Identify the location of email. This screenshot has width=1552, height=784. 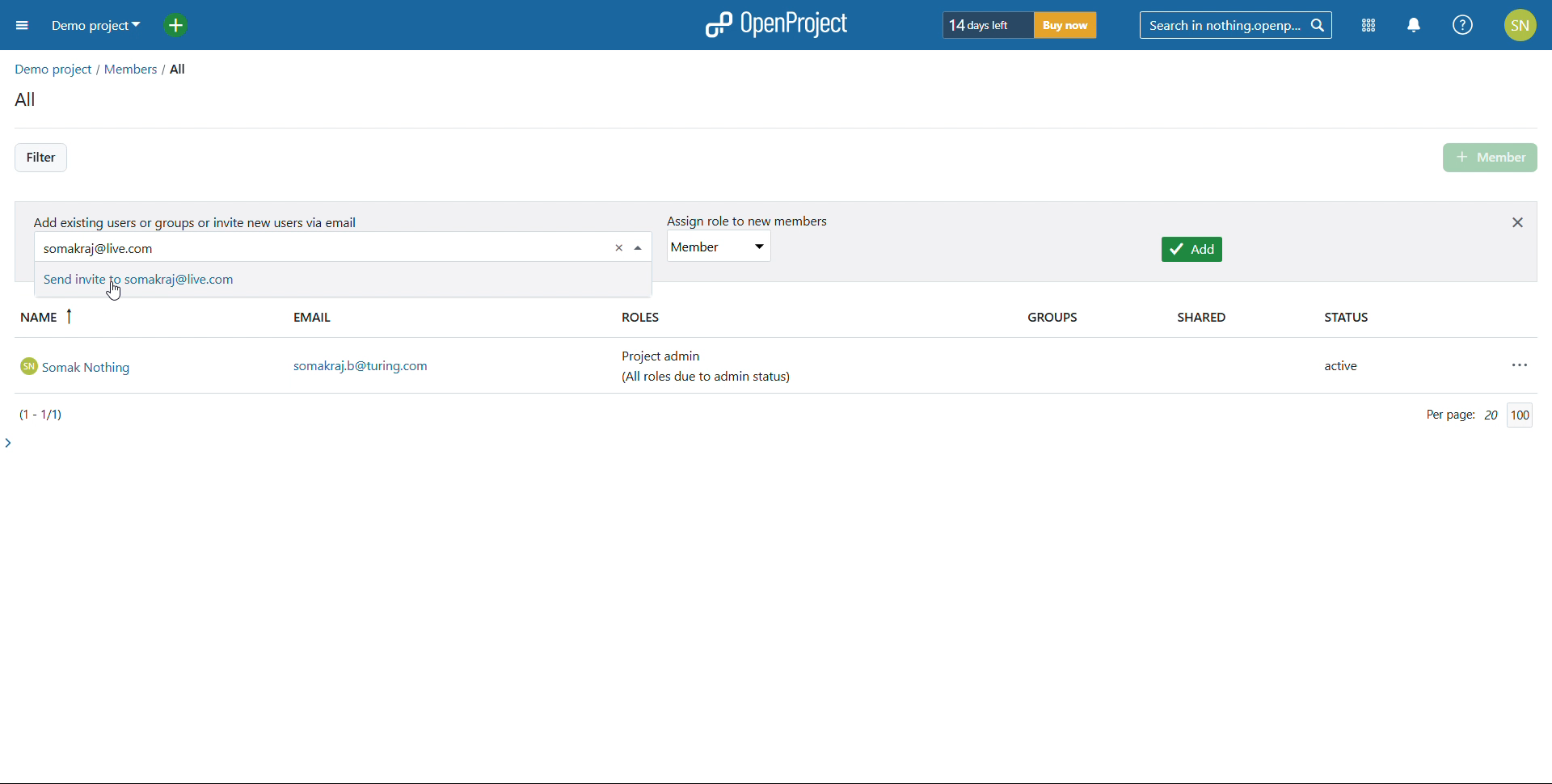
(449, 318).